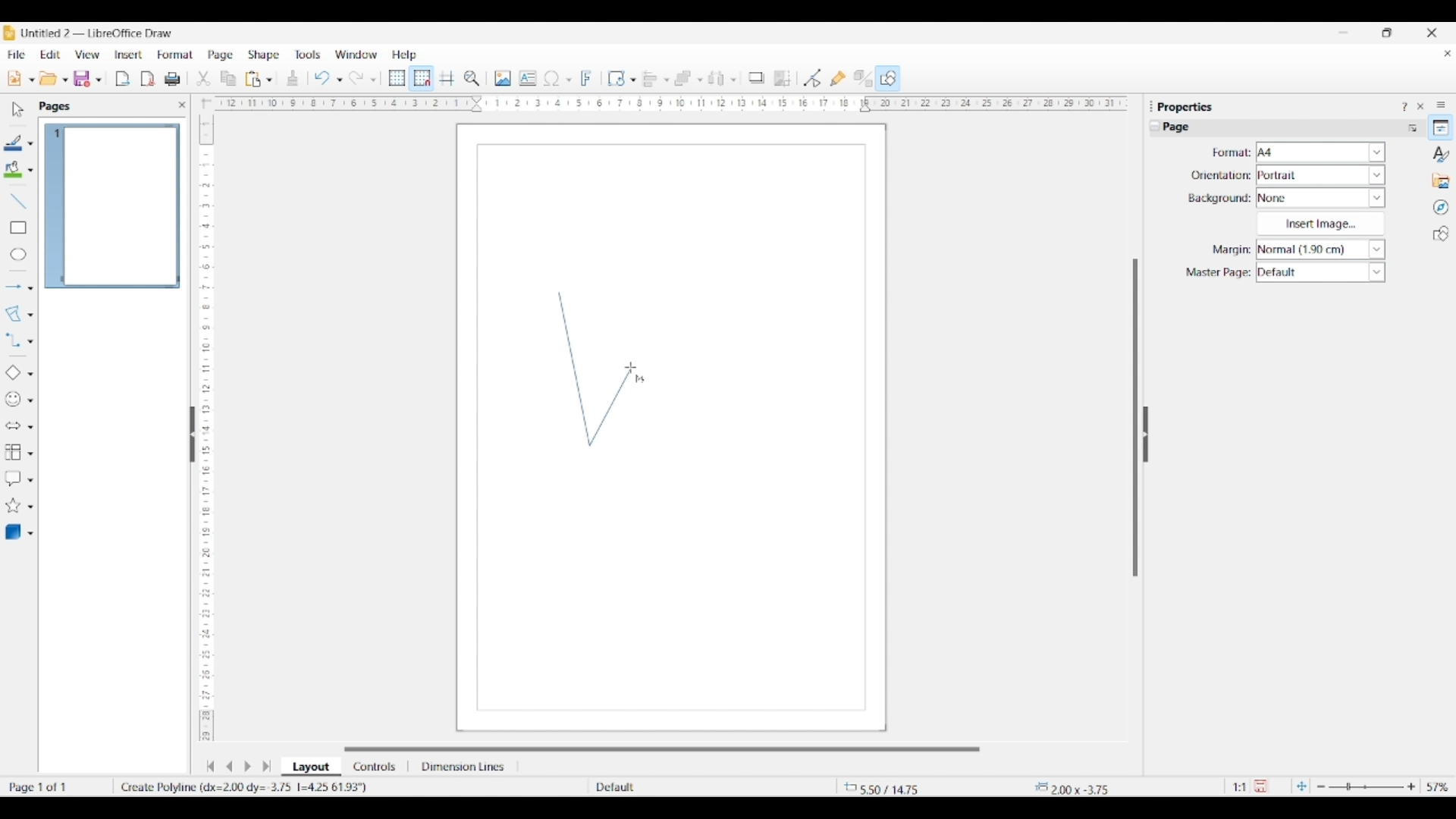  What do you see at coordinates (311, 767) in the screenshot?
I see `Layout selected` at bounding box center [311, 767].